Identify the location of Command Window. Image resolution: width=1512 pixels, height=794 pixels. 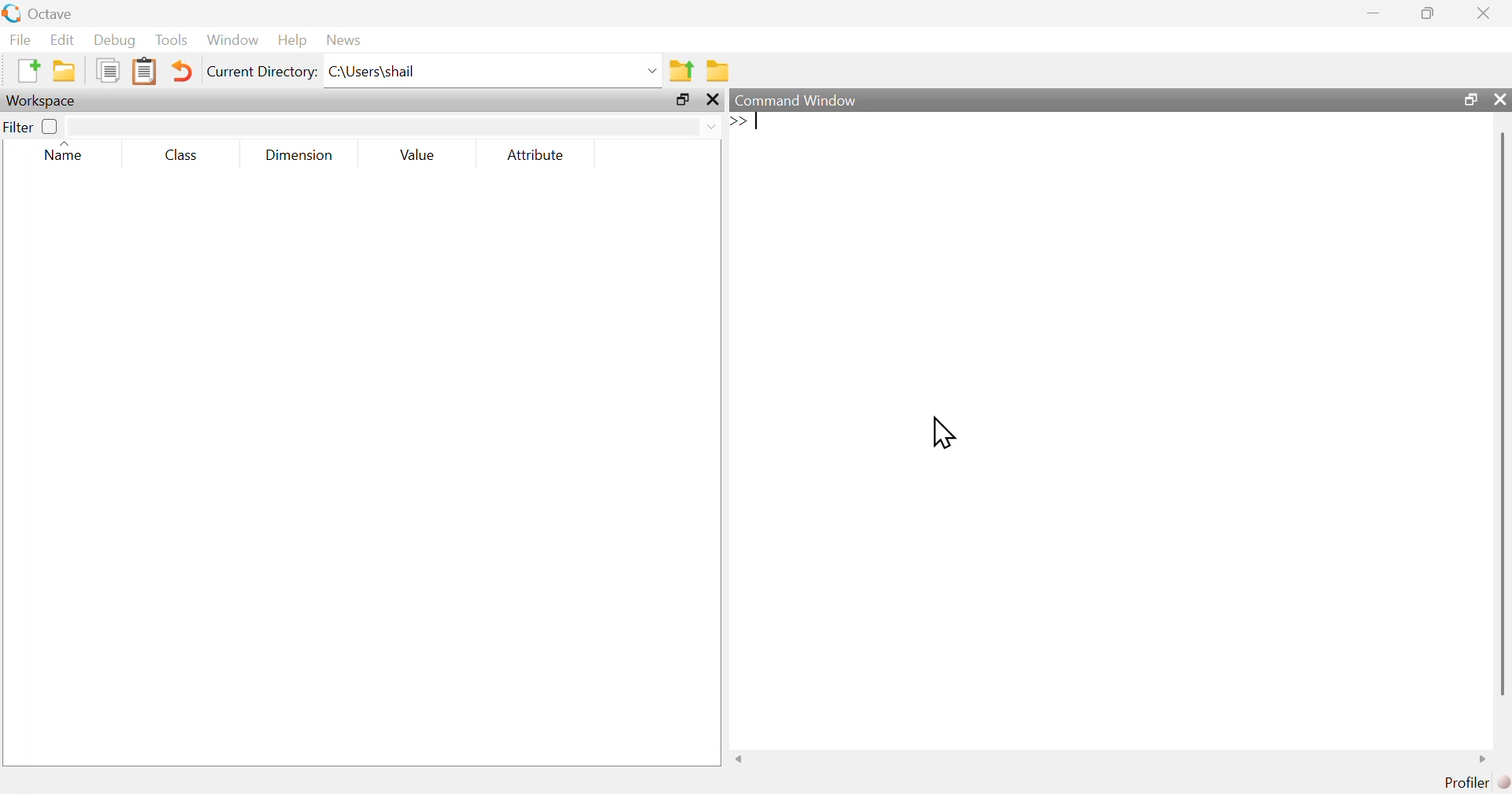
(796, 101).